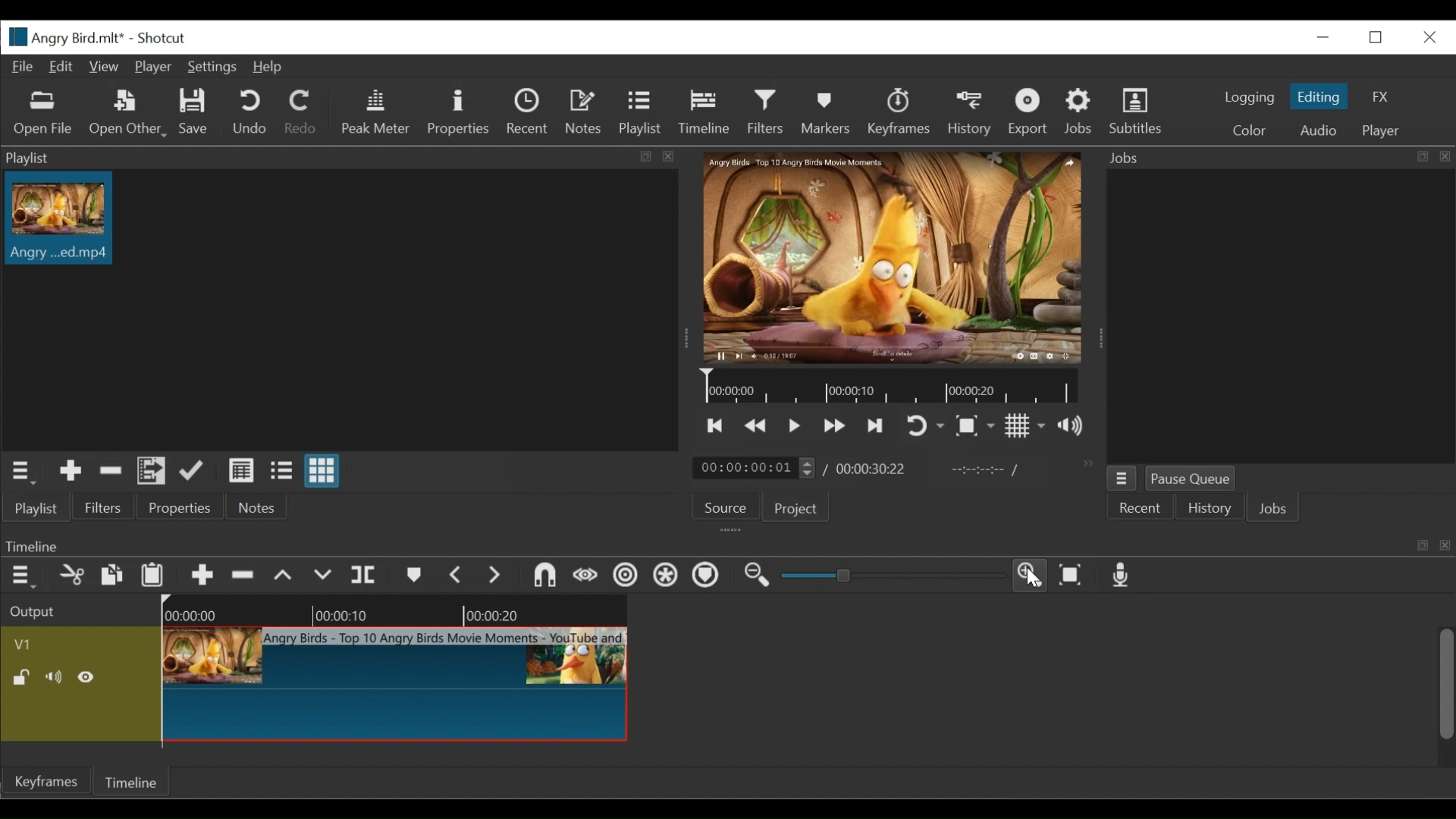  Describe the element at coordinates (1279, 158) in the screenshot. I see `Jobs Panel` at that location.